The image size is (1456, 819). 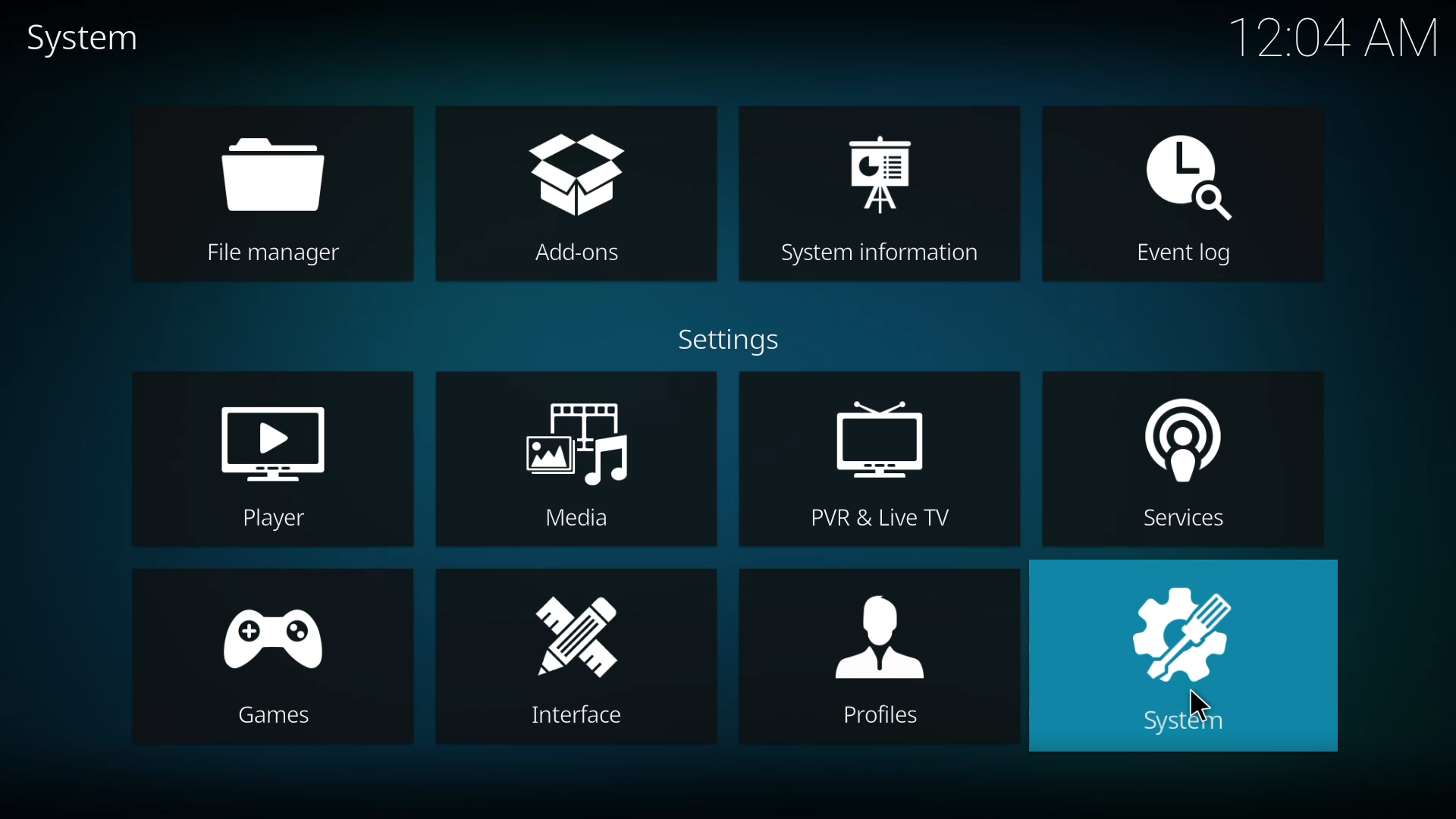 I want to click on profiles, so click(x=880, y=657).